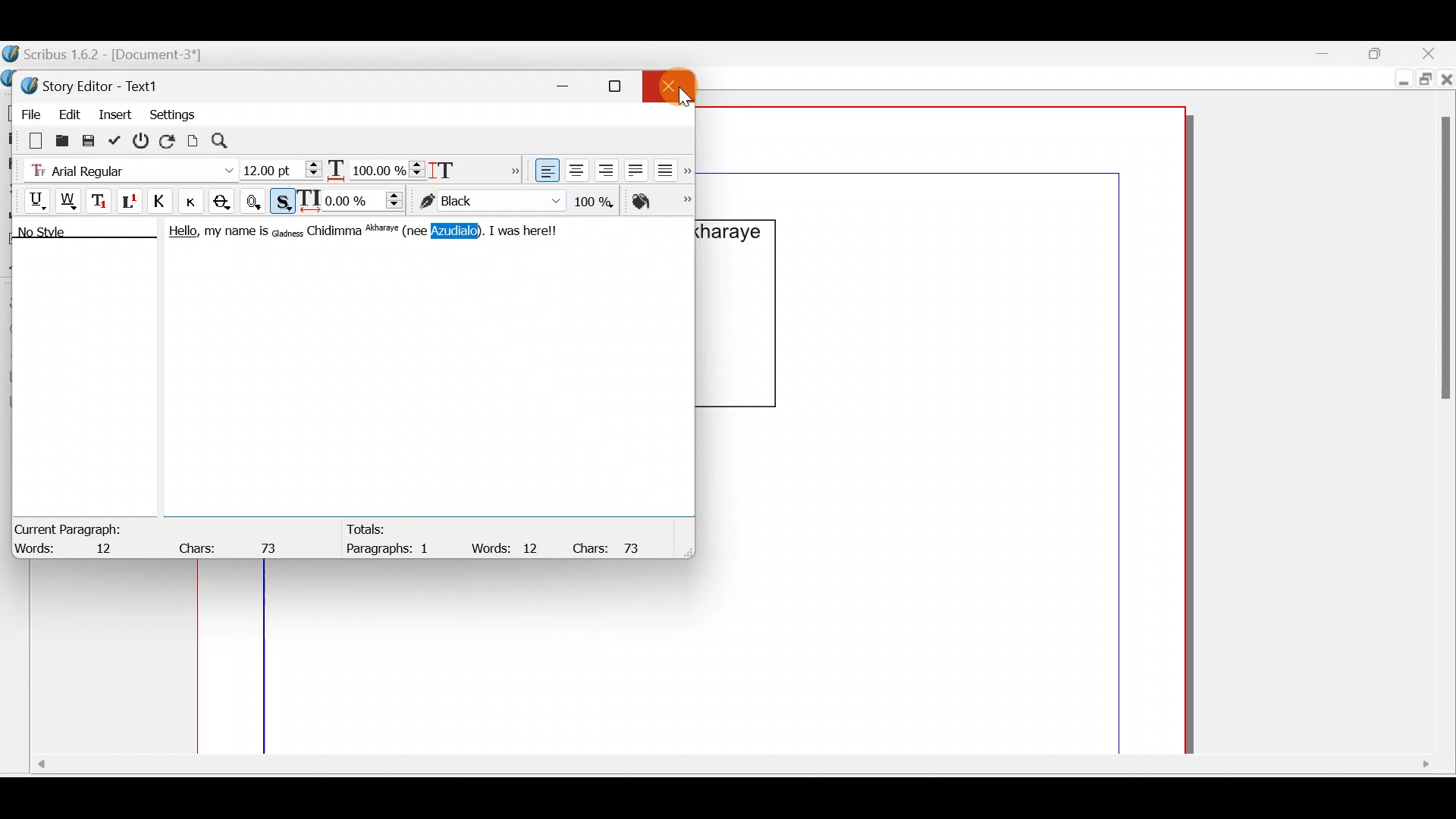 This screenshot has height=819, width=1456. I want to click on Color of text fill, so click(660, 201).